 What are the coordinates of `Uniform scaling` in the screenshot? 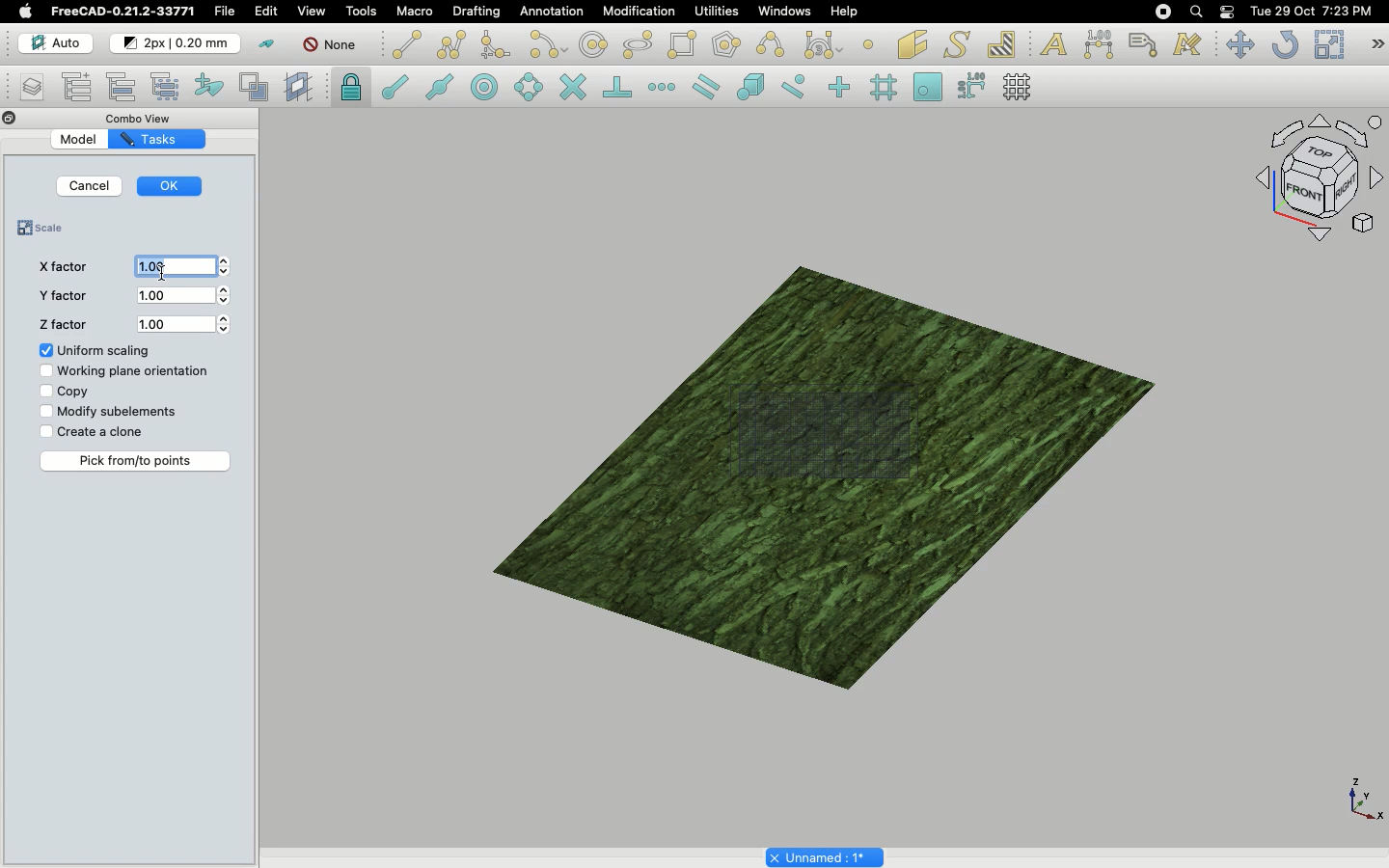 It's located at (95, 351).